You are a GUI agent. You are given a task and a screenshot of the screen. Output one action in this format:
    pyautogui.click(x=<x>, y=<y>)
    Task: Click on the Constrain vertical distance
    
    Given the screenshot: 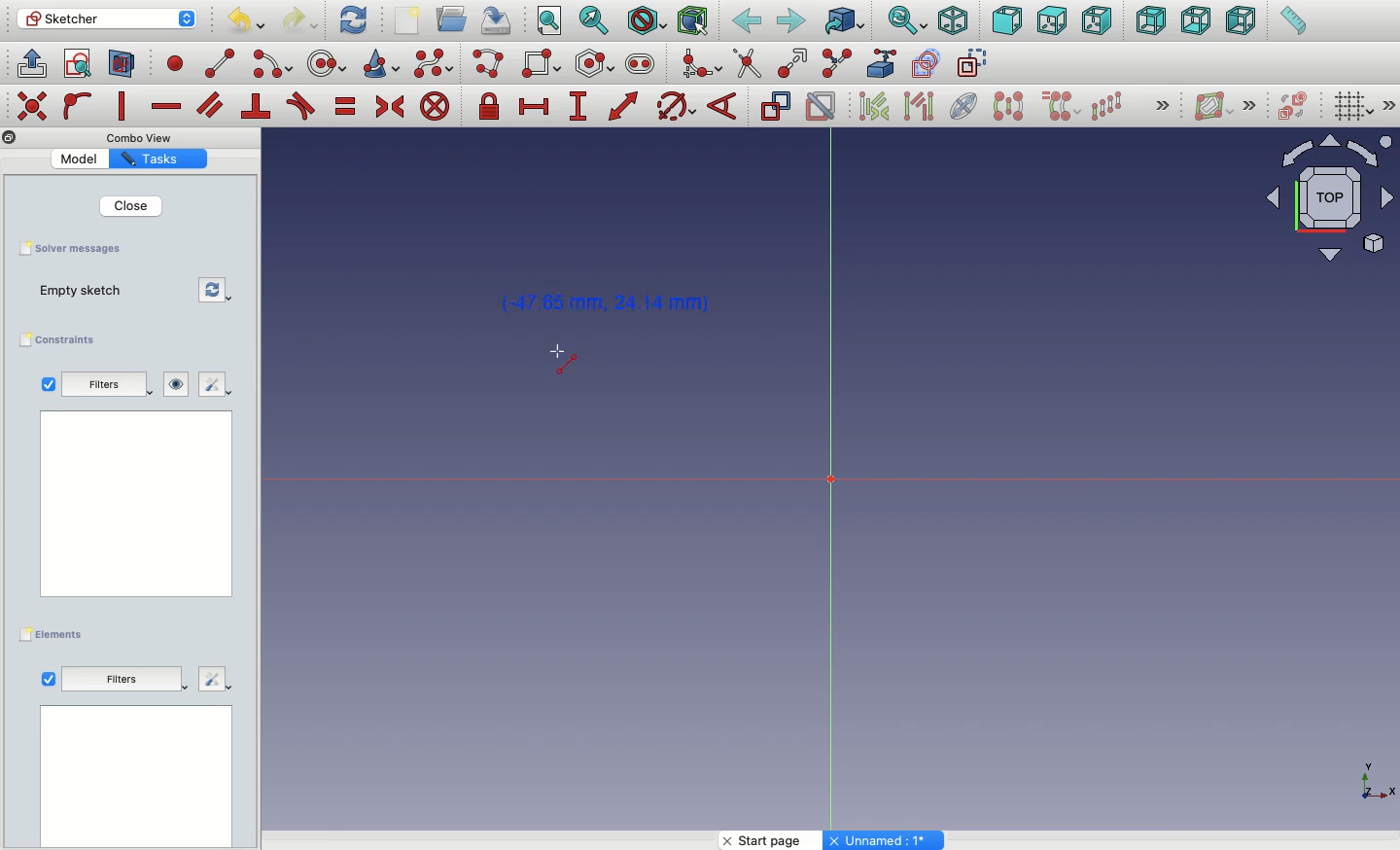 What is the action you would take?
    pyautogui.click(x=581, y=108)
    